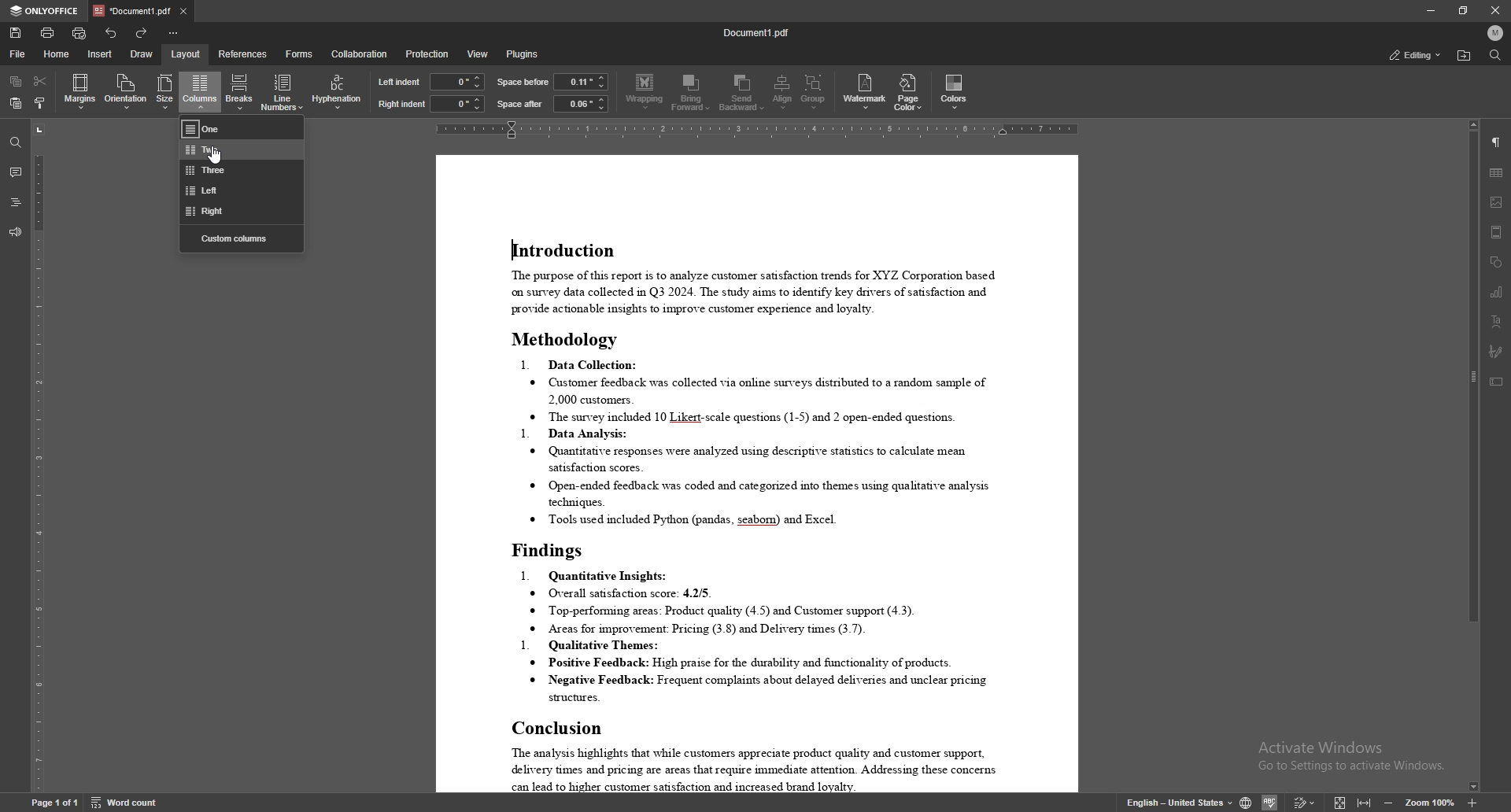 This screenshot has height=812, width=1511. I want to click on home, so click(57, 54).